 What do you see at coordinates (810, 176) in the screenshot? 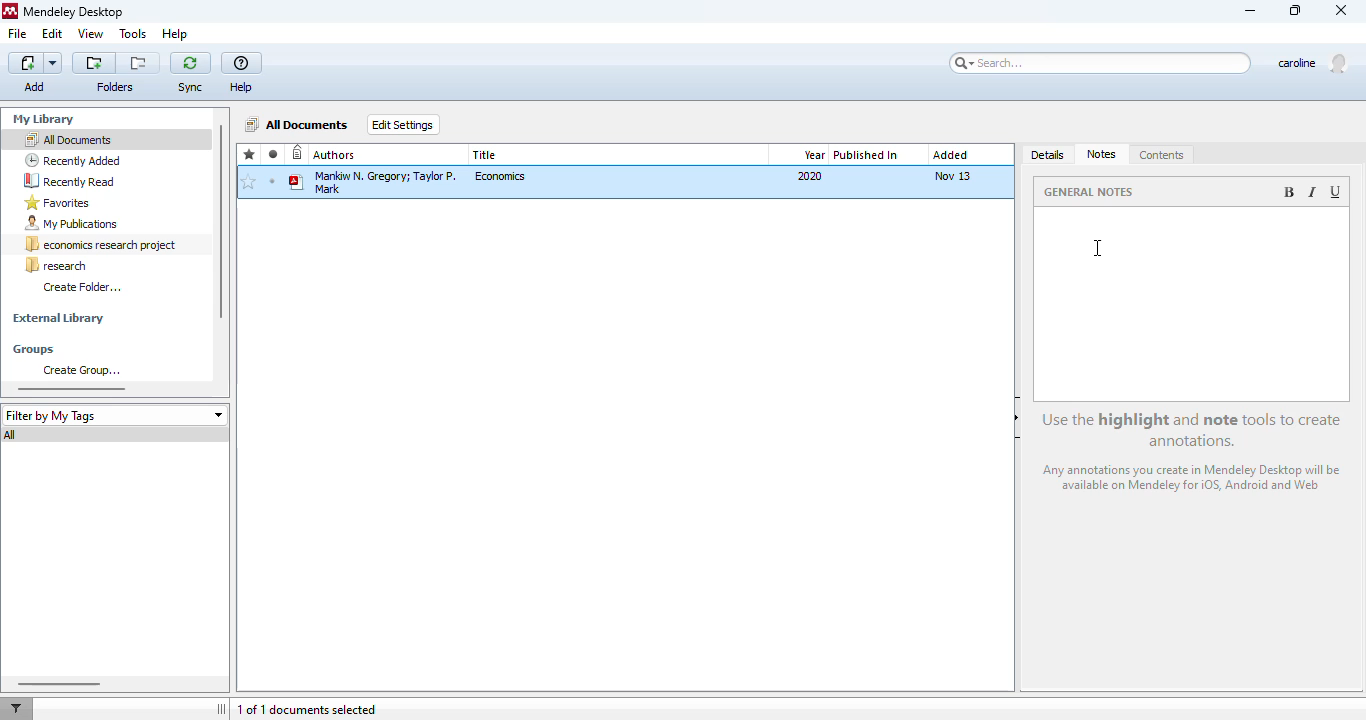
I see `2020` at bounding box center [810, 176].